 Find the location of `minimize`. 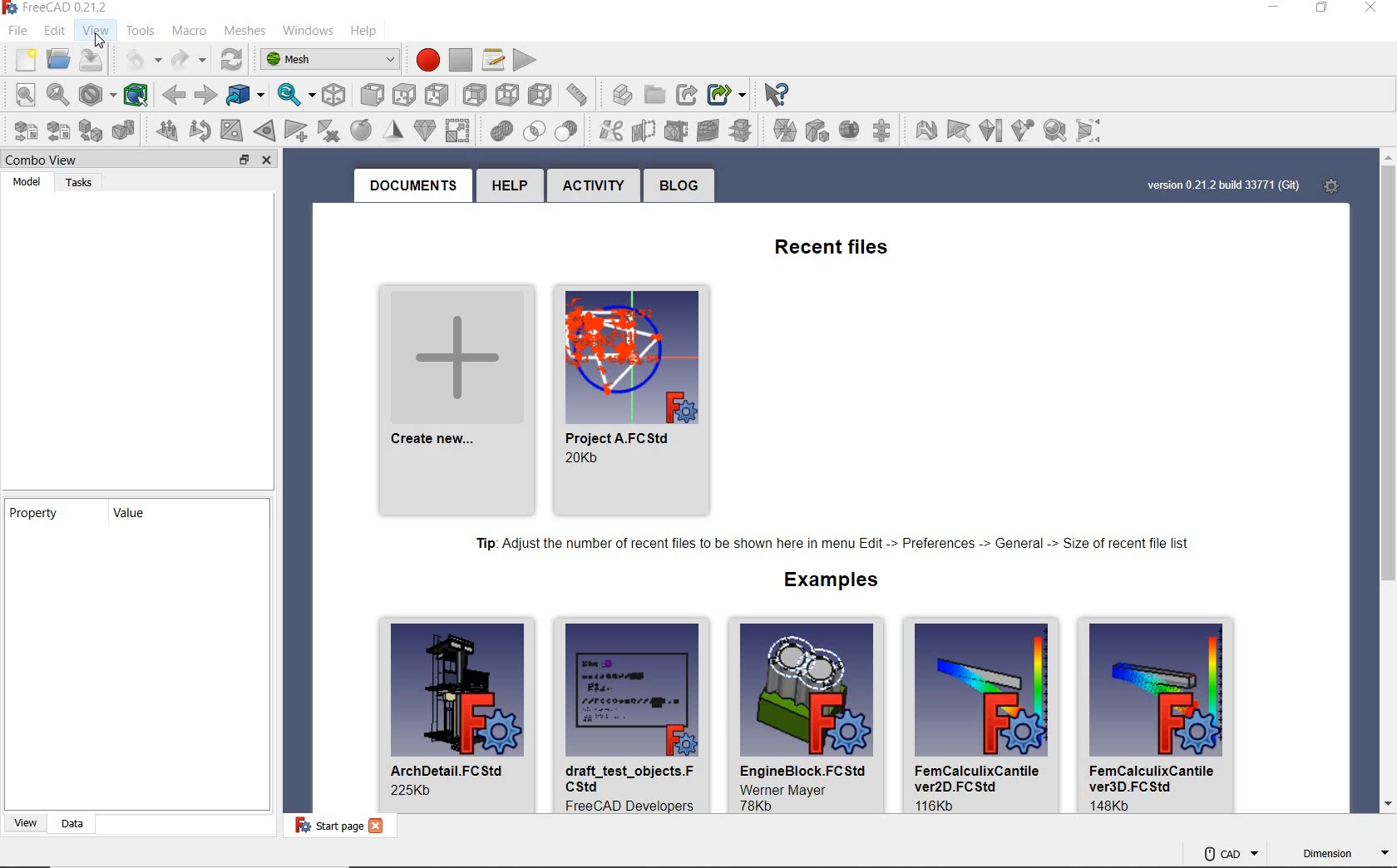

minimize is located at coordinates (1272, 10).